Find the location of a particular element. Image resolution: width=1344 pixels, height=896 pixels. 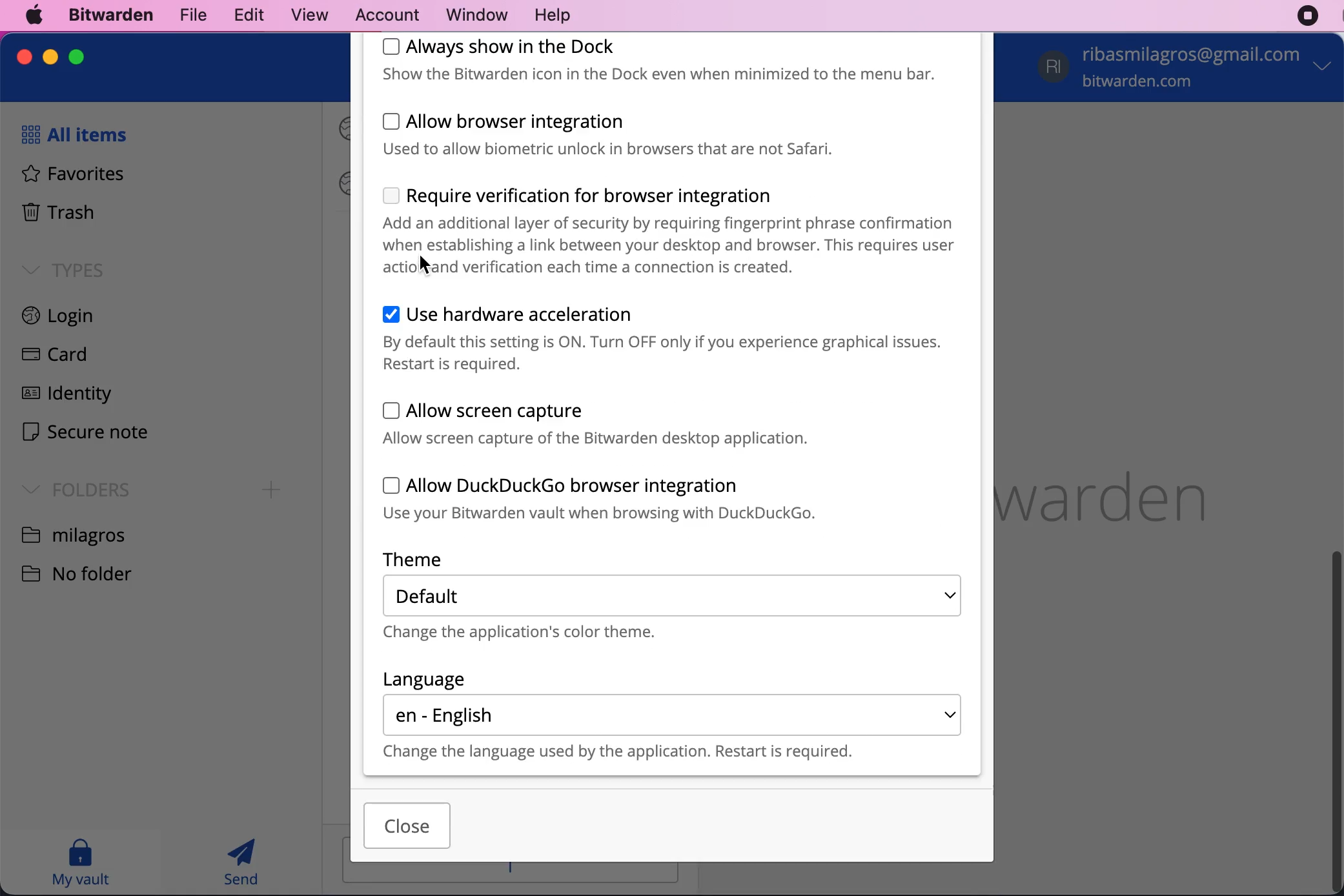

trash is located at coordinates (57, 214).